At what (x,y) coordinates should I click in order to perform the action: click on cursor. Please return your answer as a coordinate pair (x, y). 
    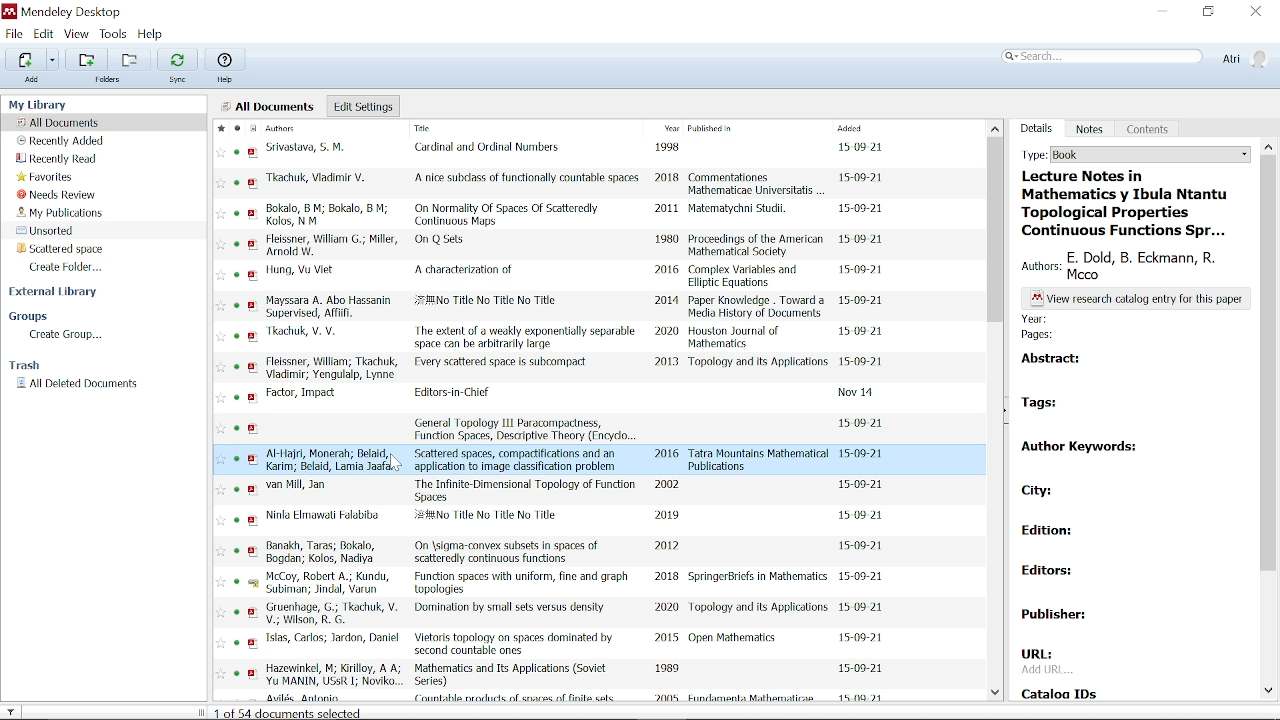
    Looking at the image, I should click on (399, 462).